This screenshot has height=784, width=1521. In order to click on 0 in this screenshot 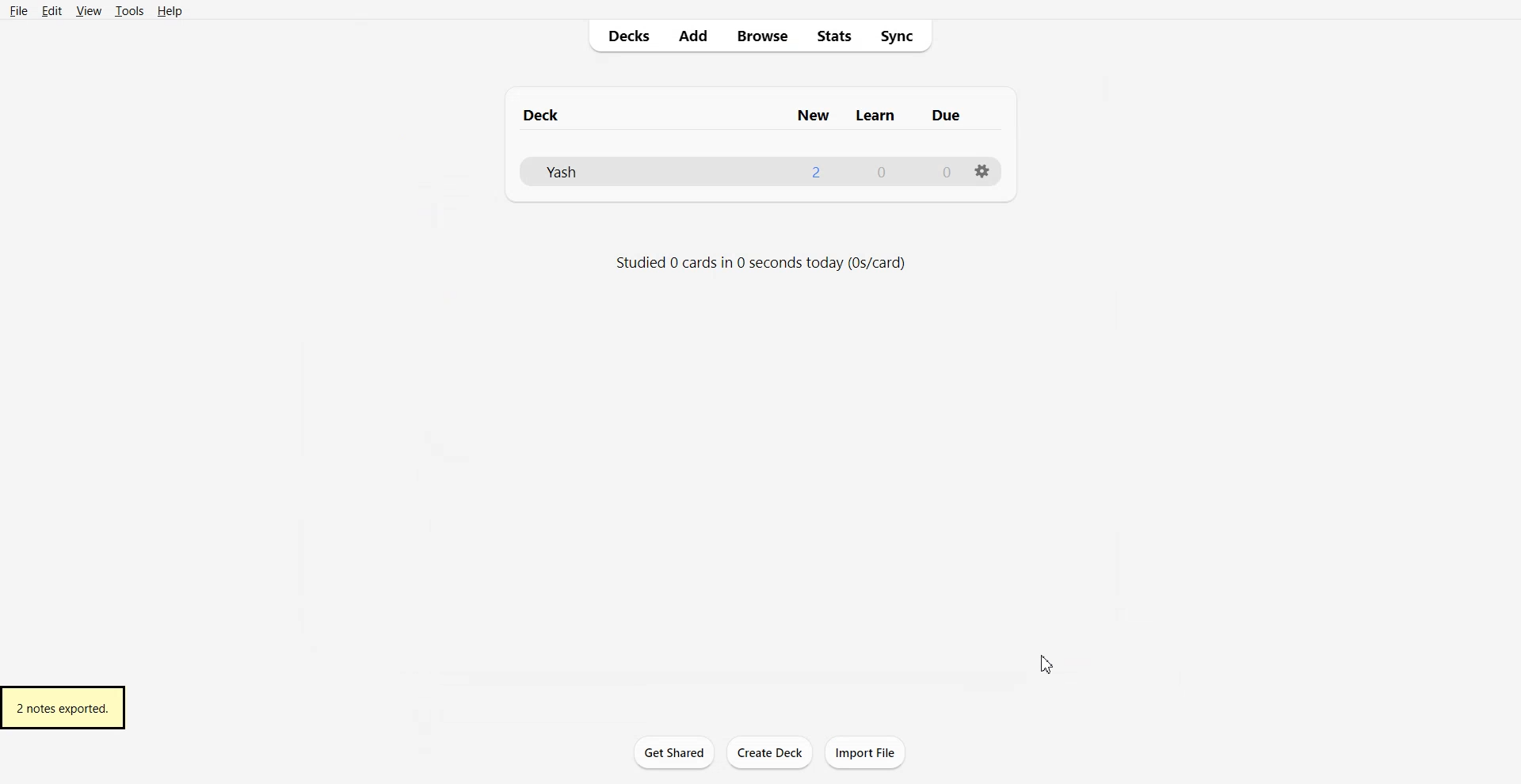, I will do `click(939, 170)`.